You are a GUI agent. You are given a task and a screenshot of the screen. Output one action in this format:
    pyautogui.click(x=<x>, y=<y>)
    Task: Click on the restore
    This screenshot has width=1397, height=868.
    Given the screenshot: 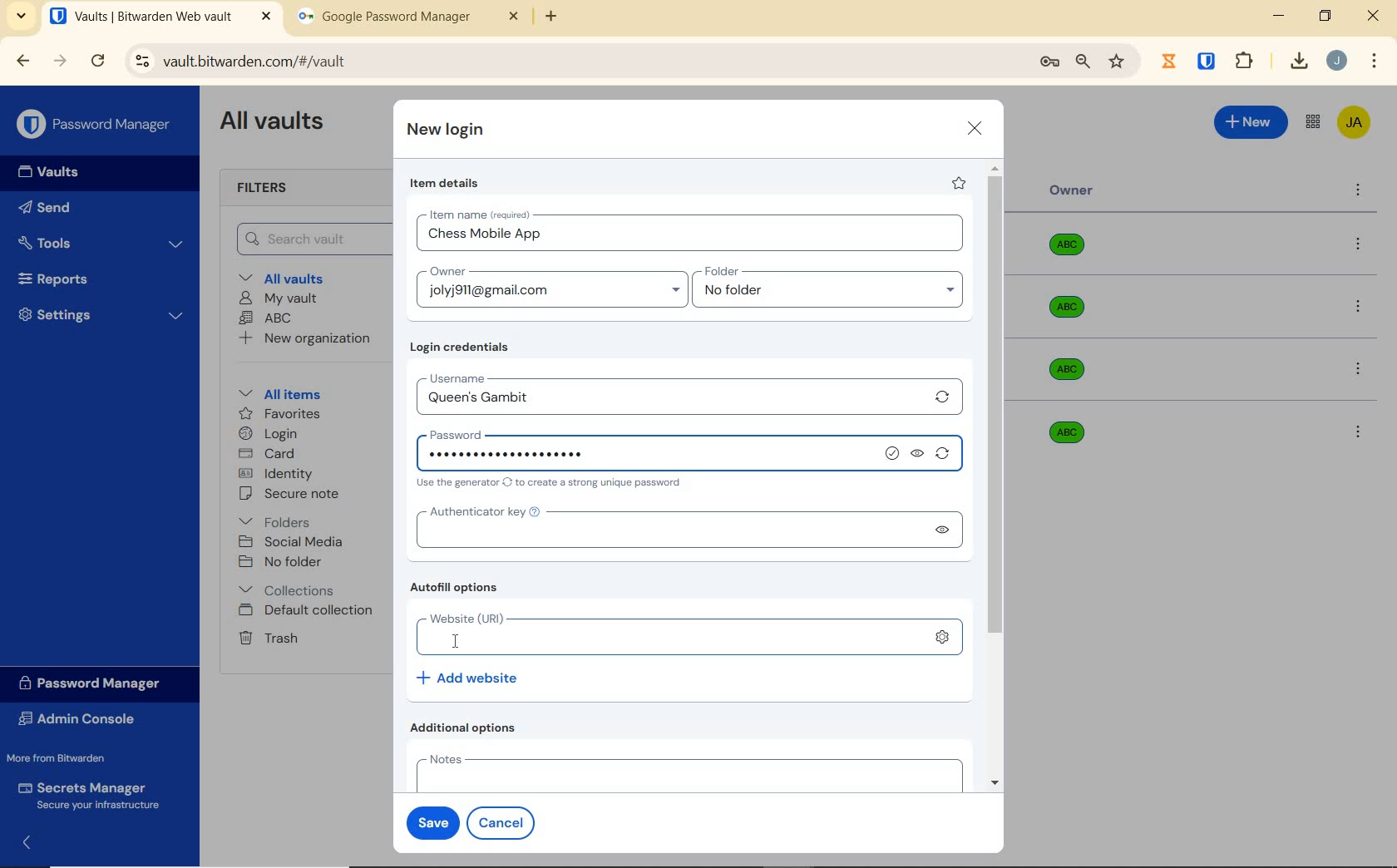 What is the action you would take?
    pyautogui.click(x=1324, y=16)
    